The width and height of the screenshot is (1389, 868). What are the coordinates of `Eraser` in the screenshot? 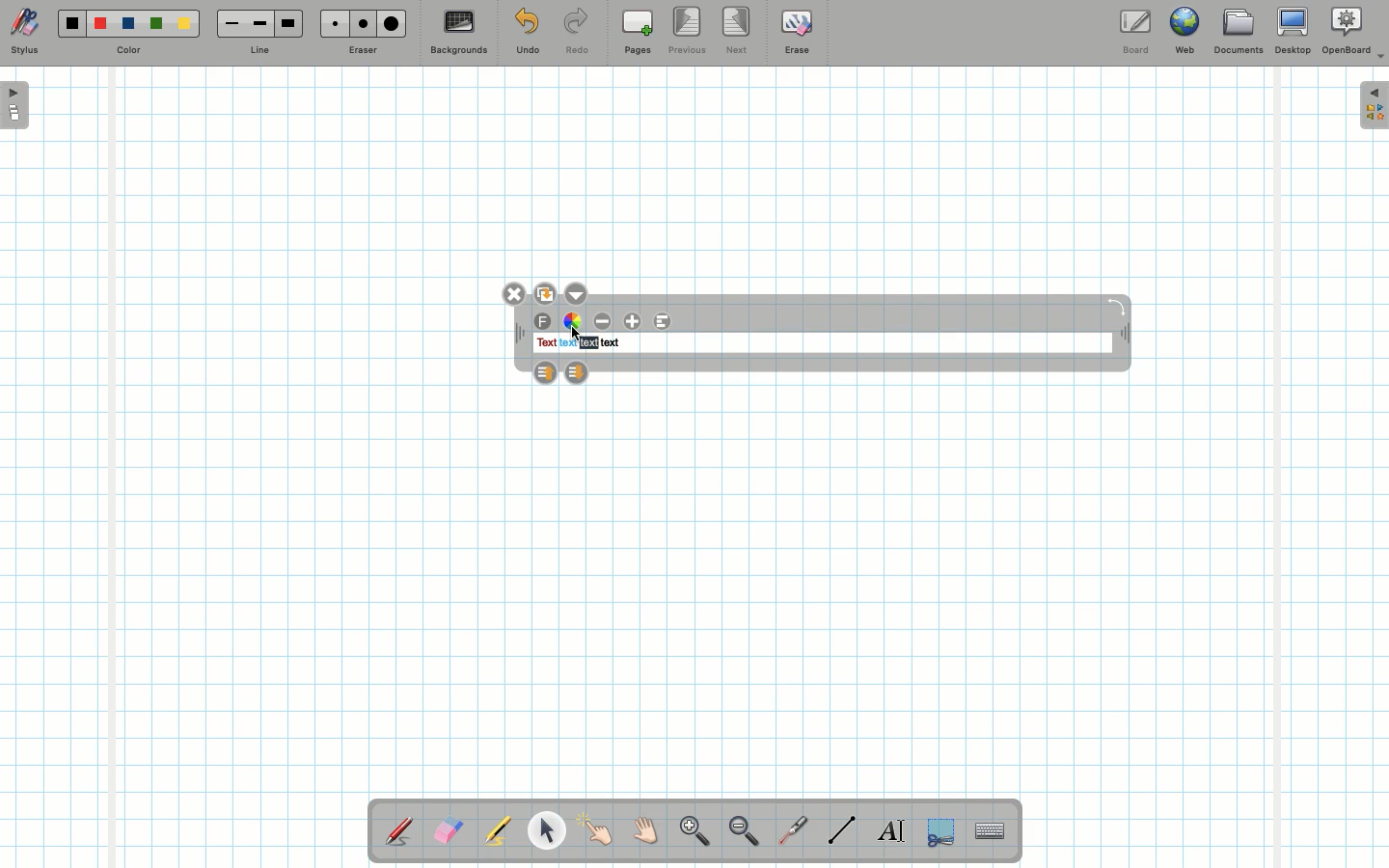 It's located at (362, 52).